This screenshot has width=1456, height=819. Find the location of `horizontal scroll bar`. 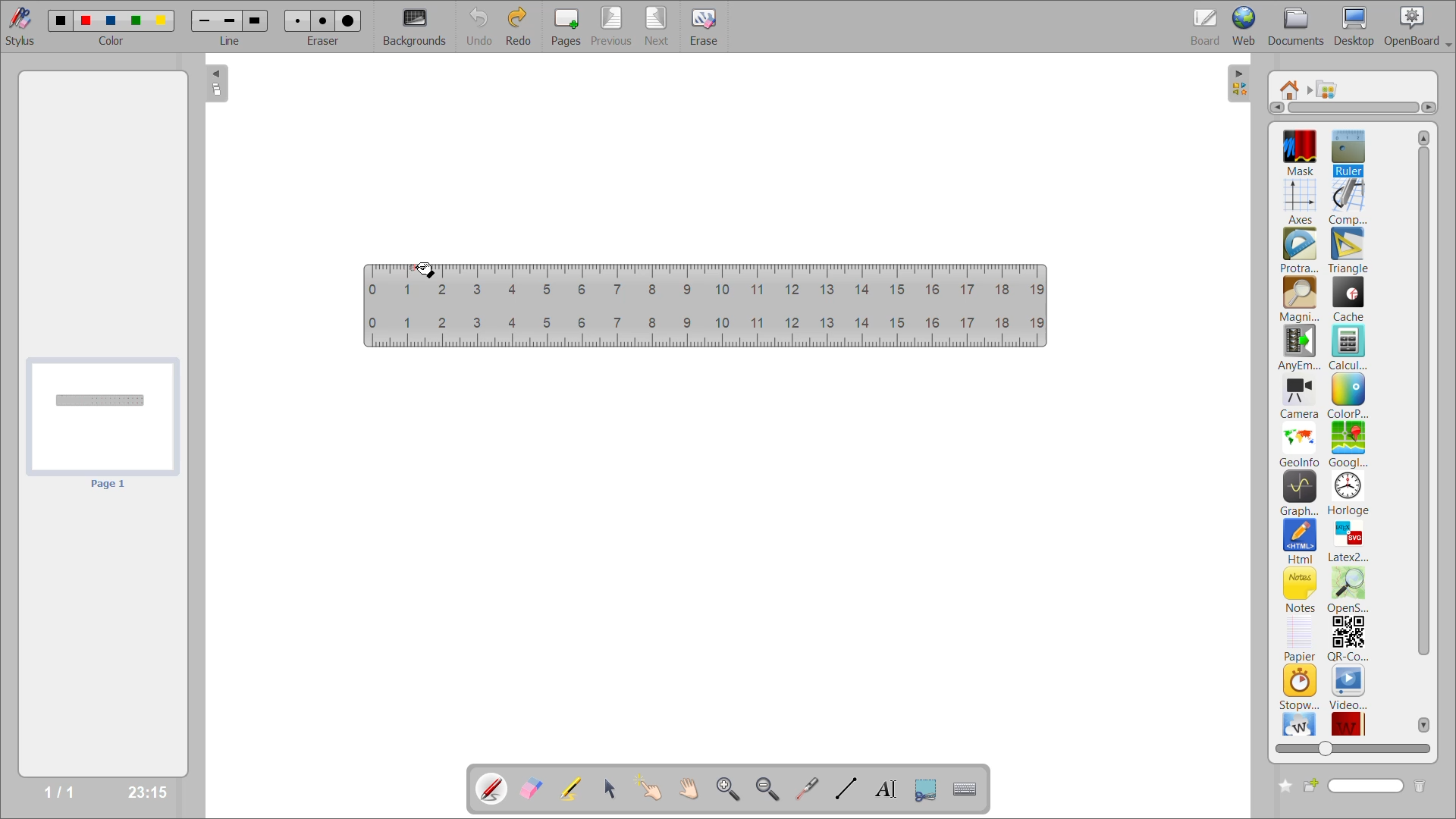

horizontal scroll bar is located at coordinates (1354, 108).